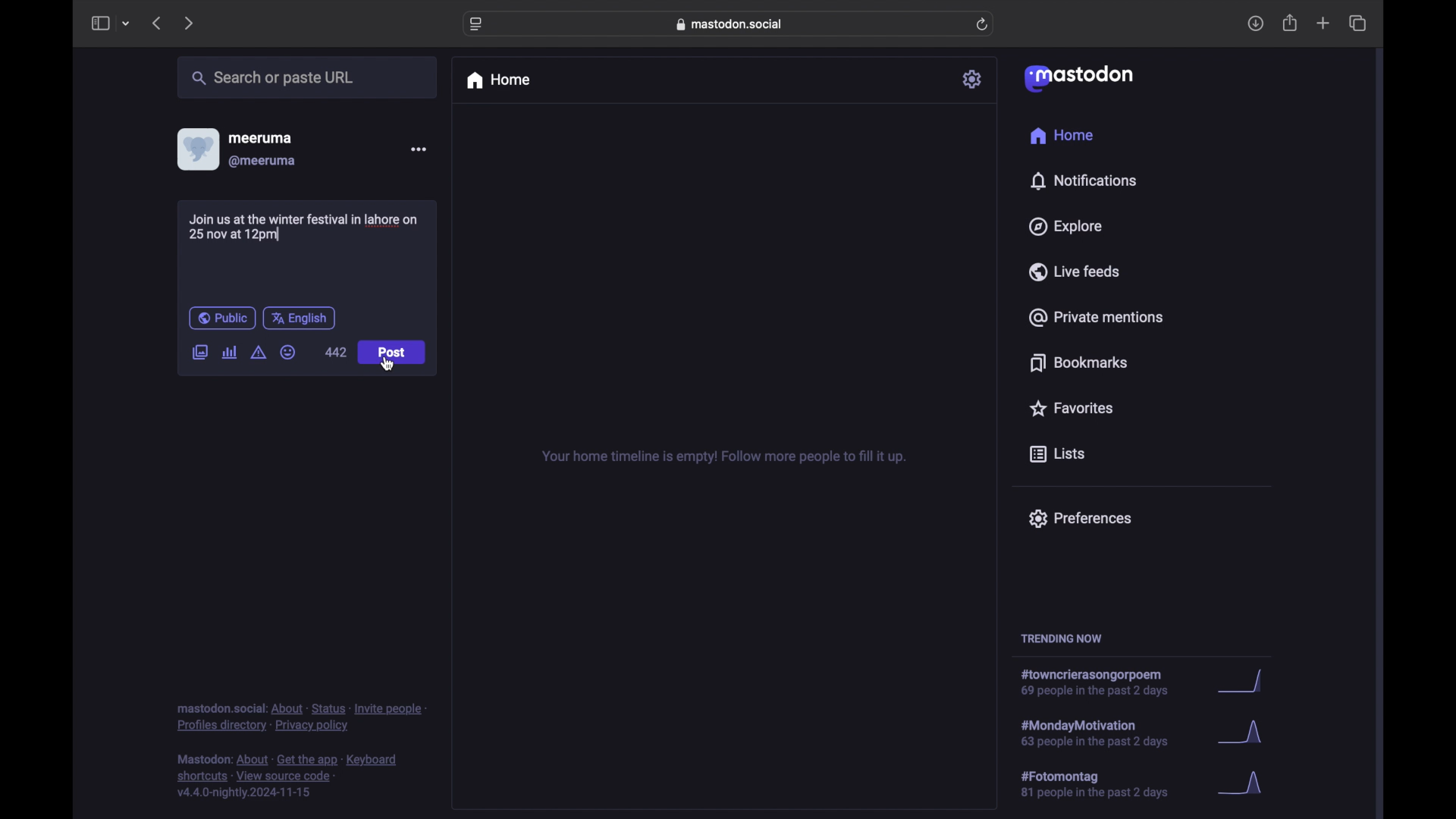 The image size is (1456, 819). I want to click on cursor, so click(390, 364).